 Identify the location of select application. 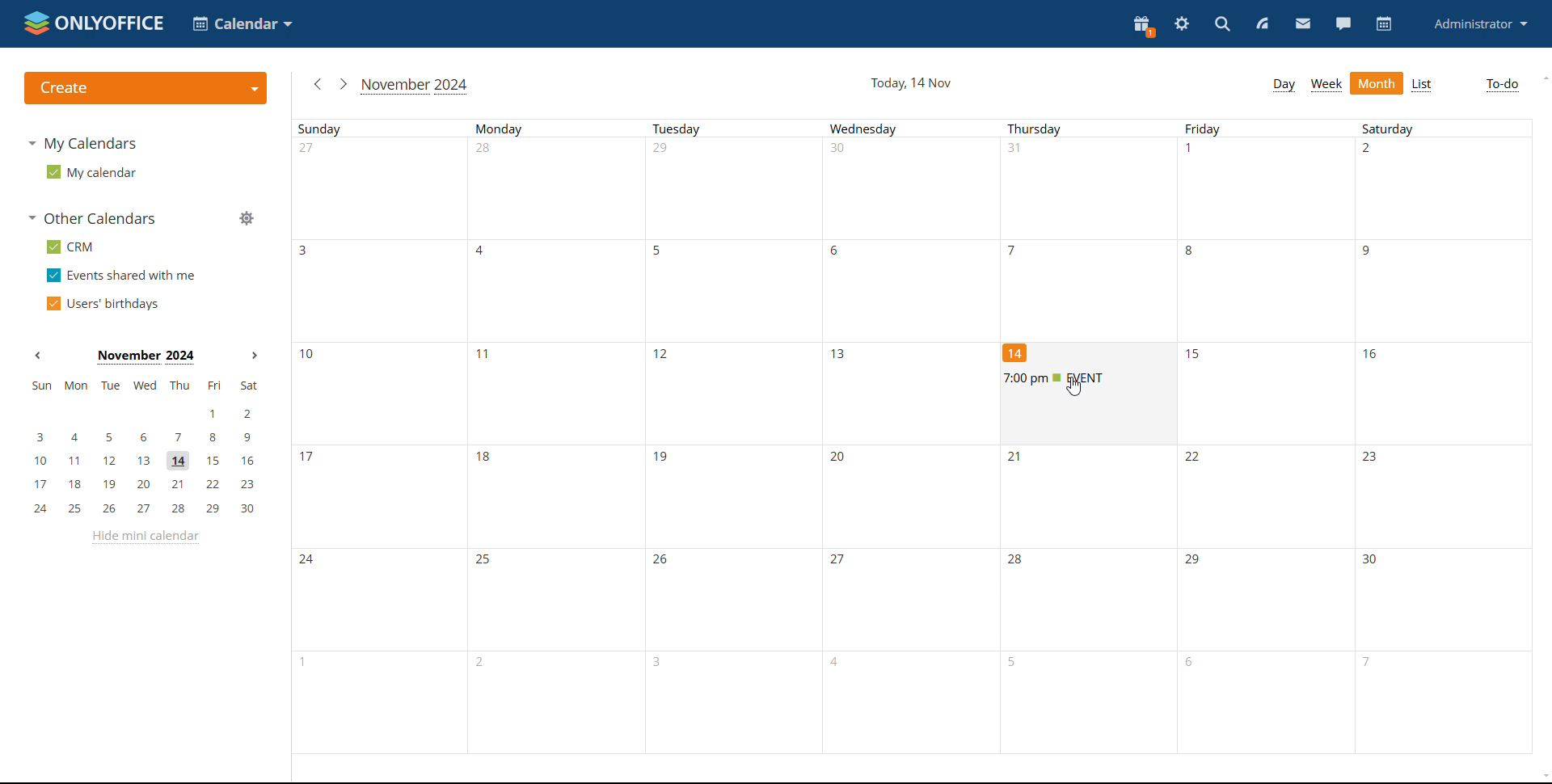
(244, 23).